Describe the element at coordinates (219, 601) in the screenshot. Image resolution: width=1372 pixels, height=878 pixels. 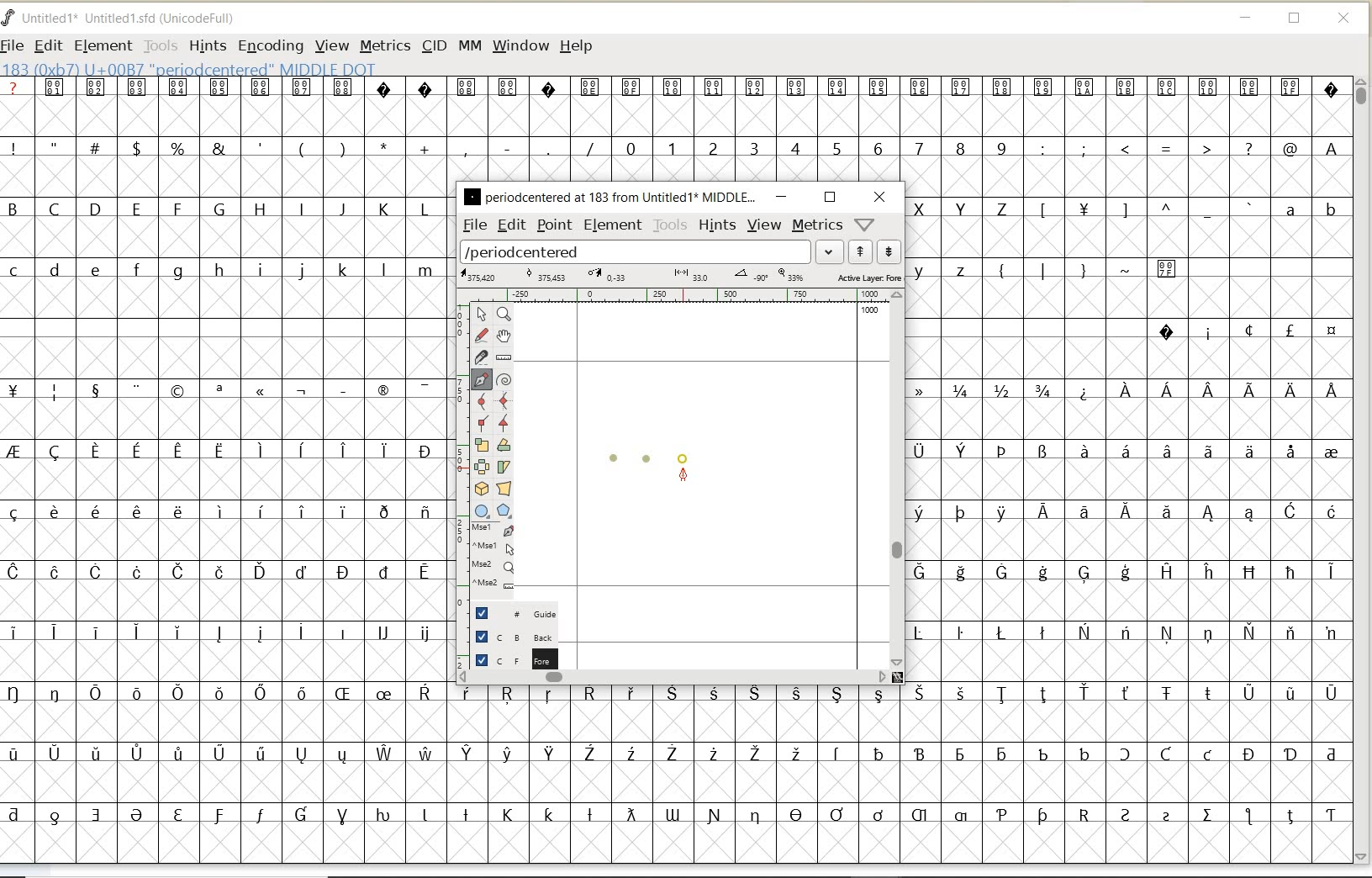
I see `special characters` at that location.